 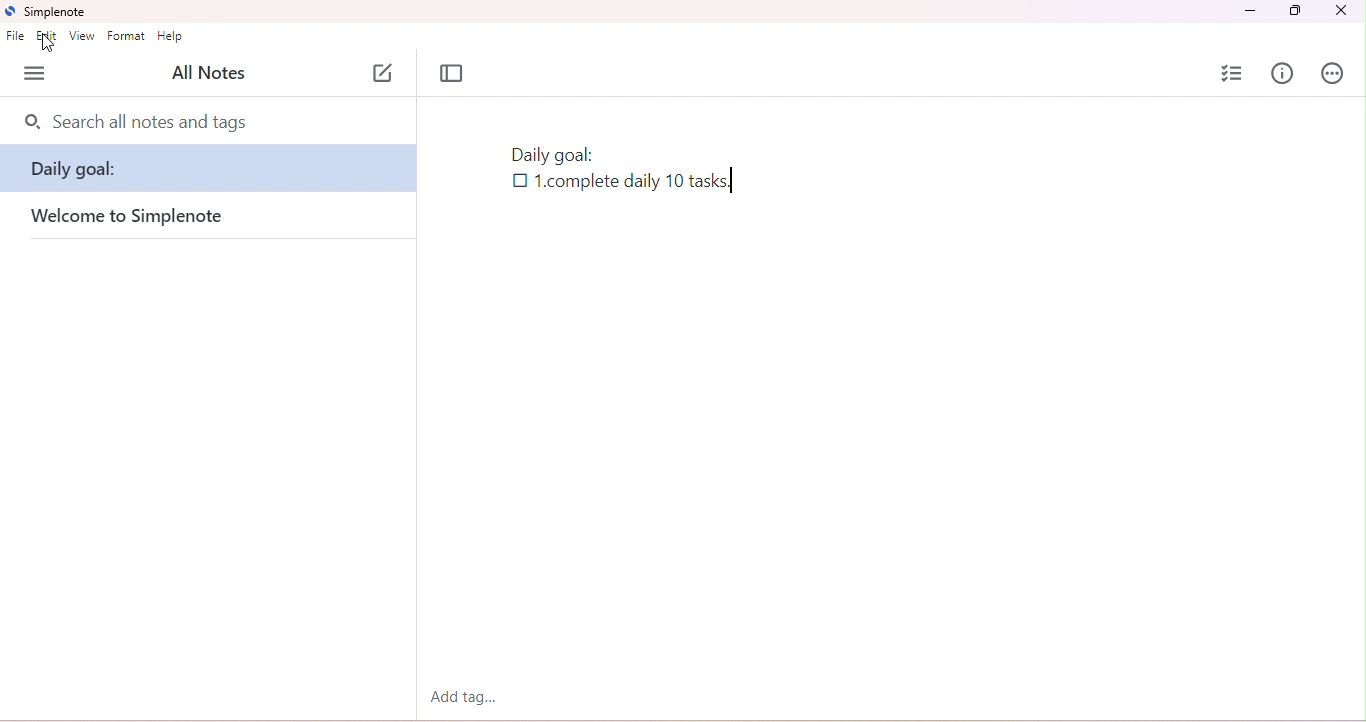 I want to click on actions, so click(x=1334, y=73).